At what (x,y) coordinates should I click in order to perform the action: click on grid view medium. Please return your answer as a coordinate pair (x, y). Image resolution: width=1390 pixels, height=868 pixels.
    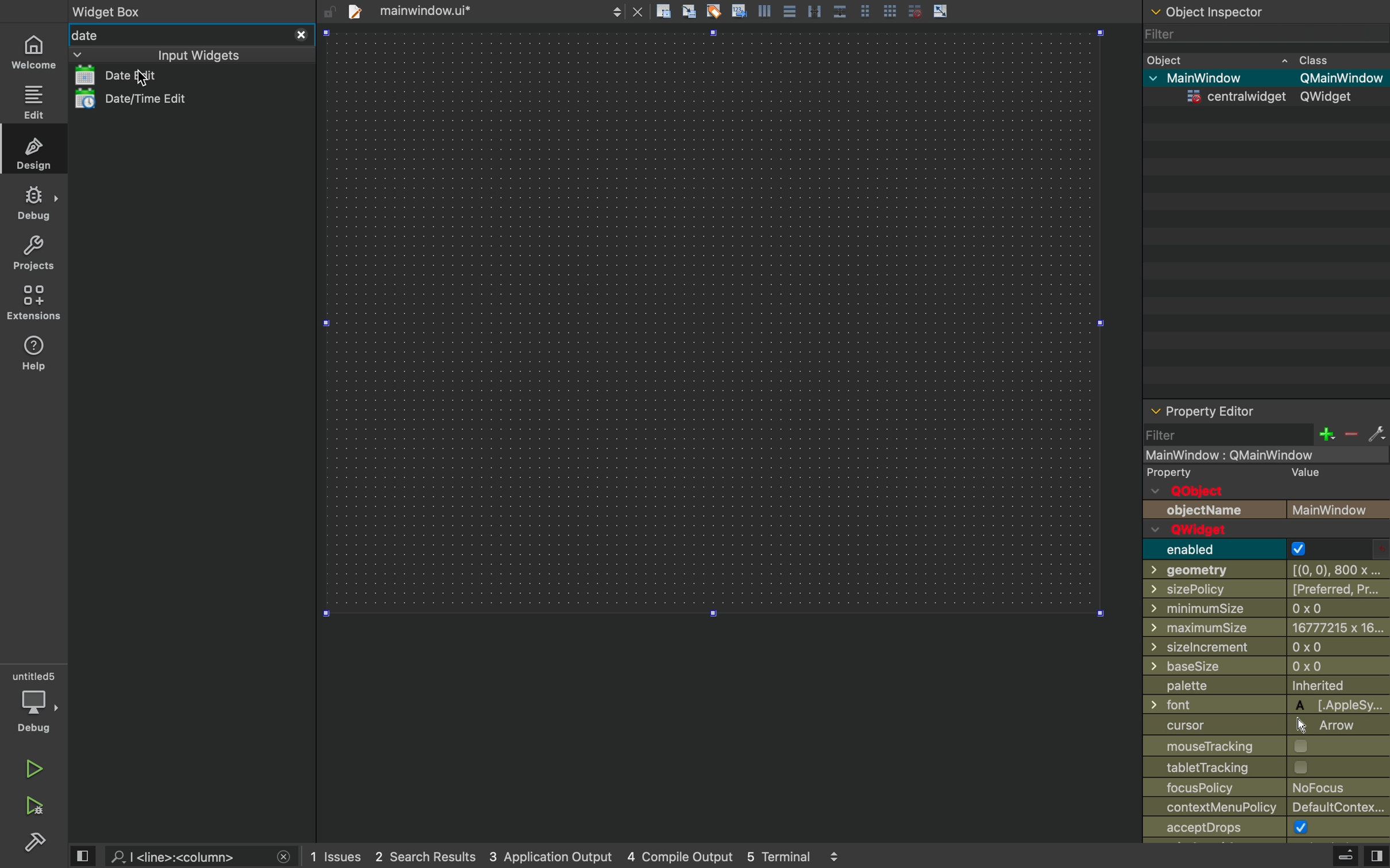
    Looking at the image, I should click on (864, 10).